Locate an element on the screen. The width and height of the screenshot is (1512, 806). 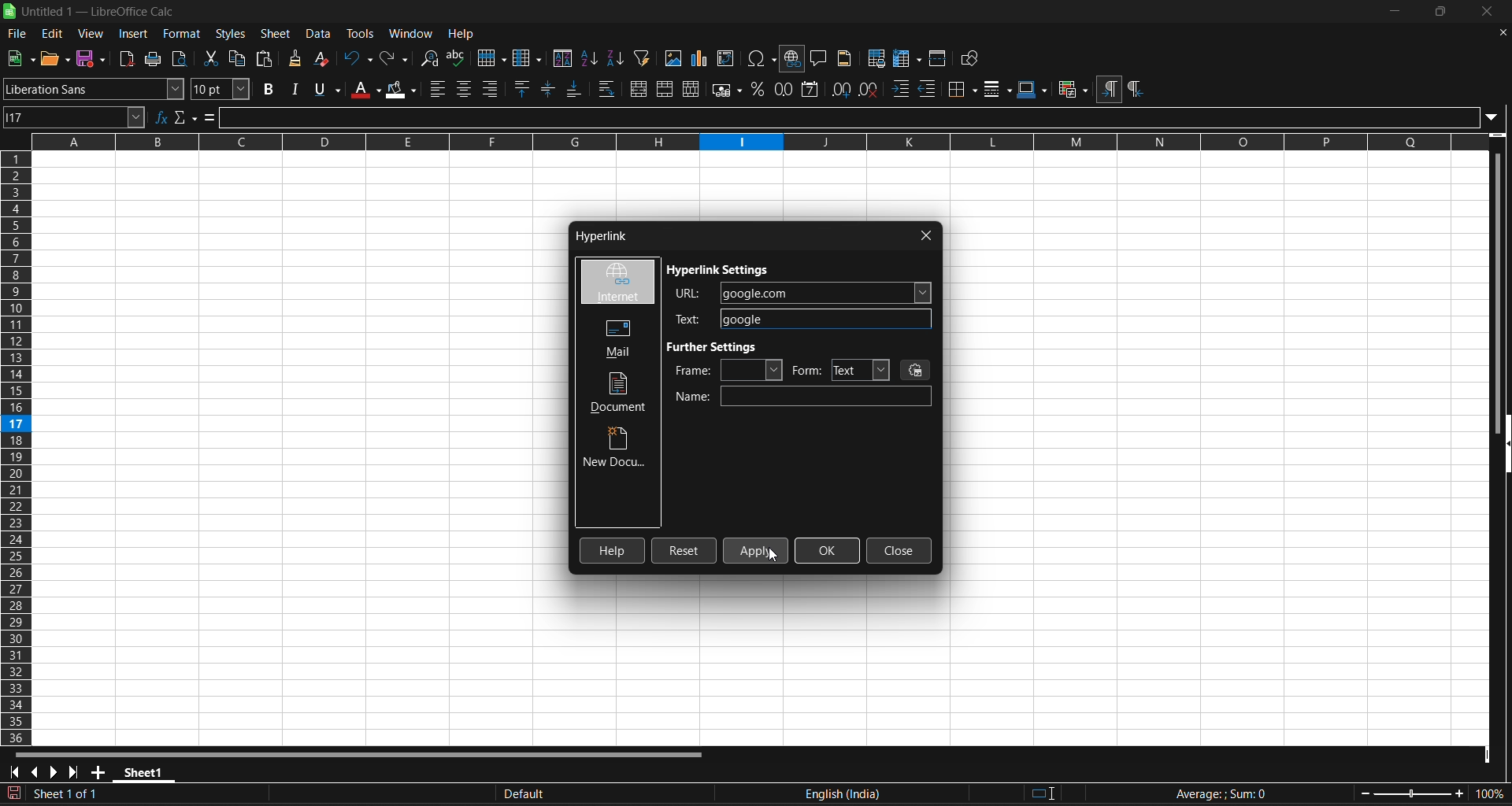
increase indent is located at coordinates (901, 91).